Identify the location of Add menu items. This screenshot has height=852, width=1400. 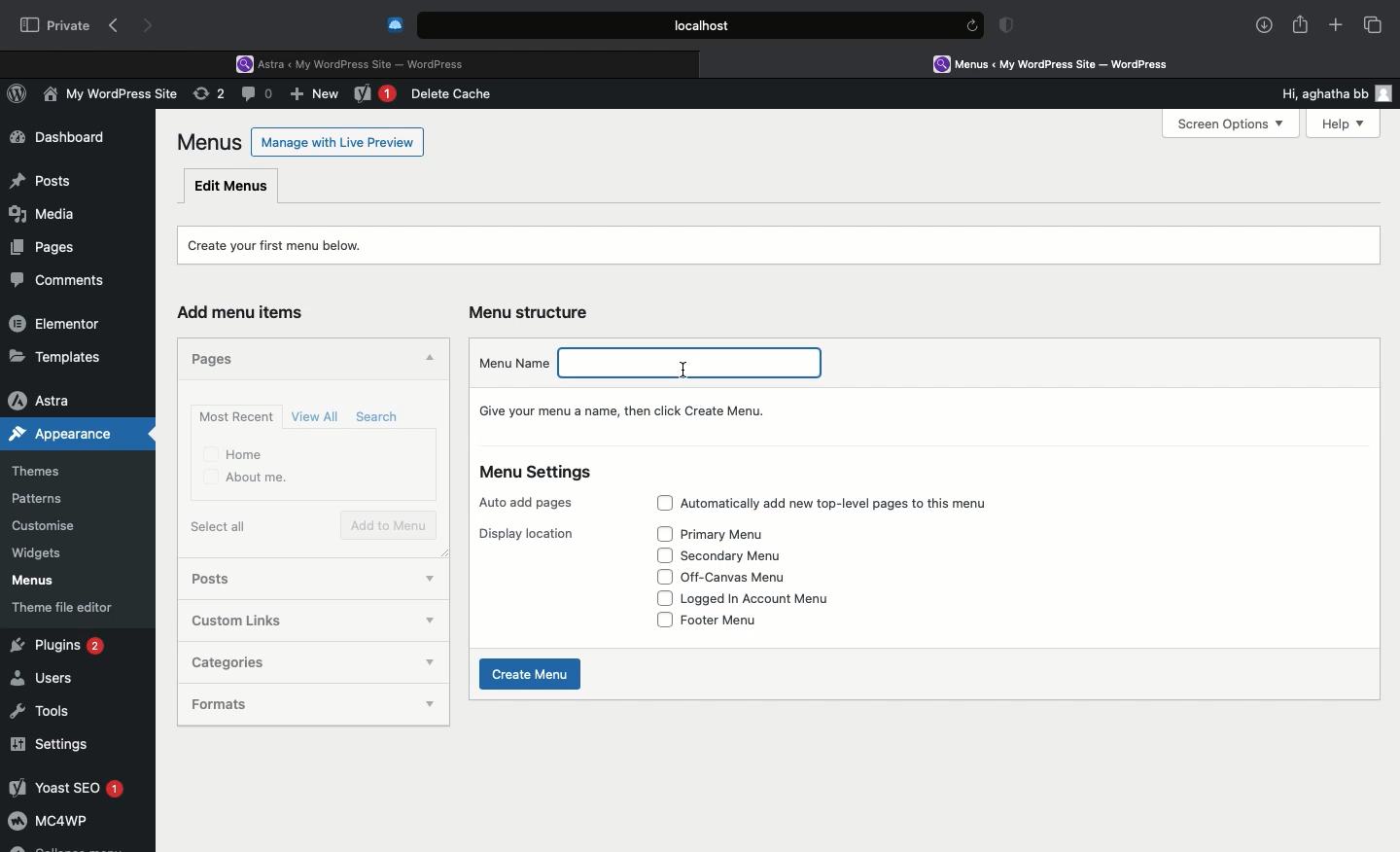
(249, 313).